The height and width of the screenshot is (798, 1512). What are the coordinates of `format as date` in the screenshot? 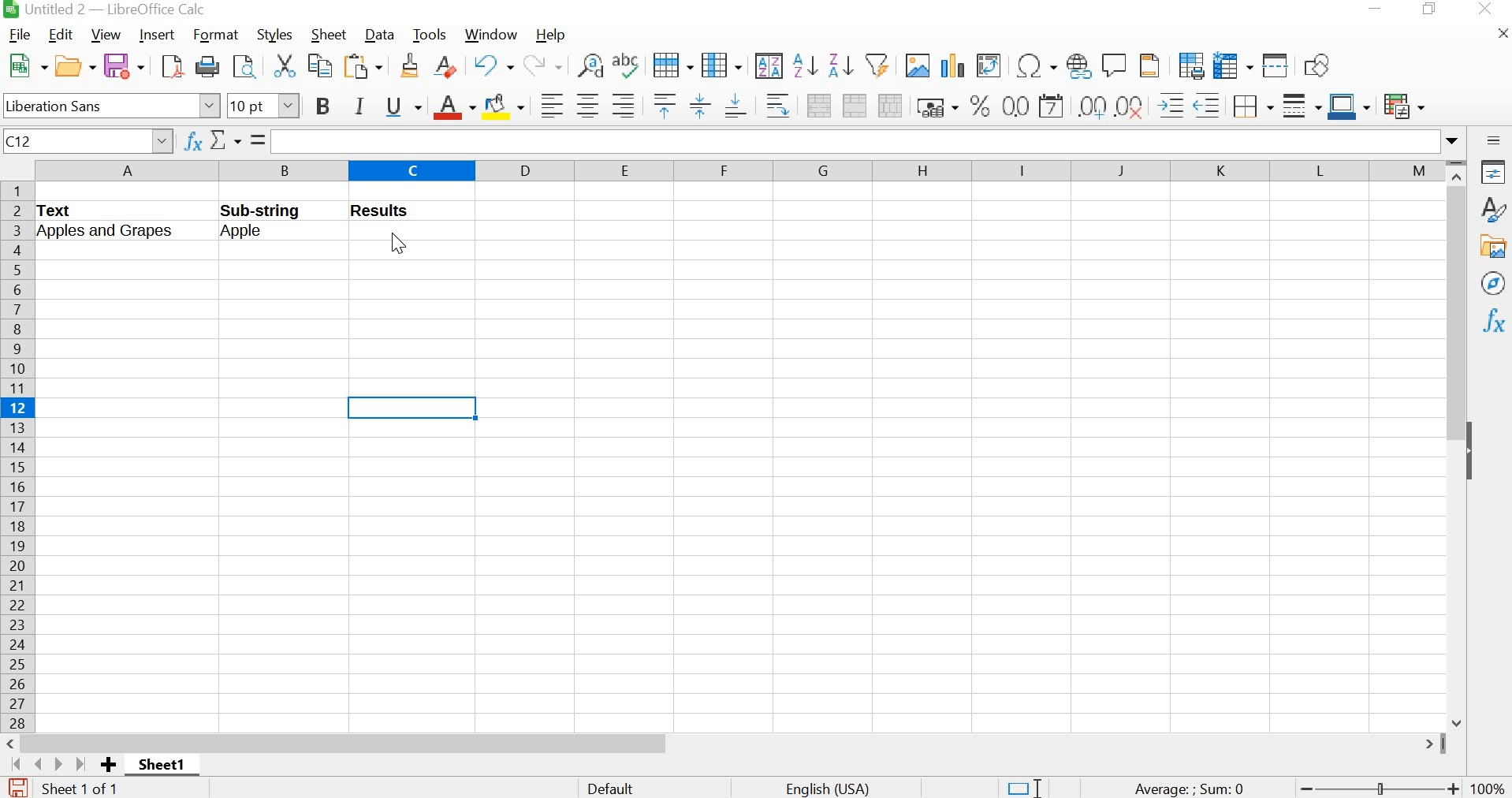 It's located at (1052, 106).